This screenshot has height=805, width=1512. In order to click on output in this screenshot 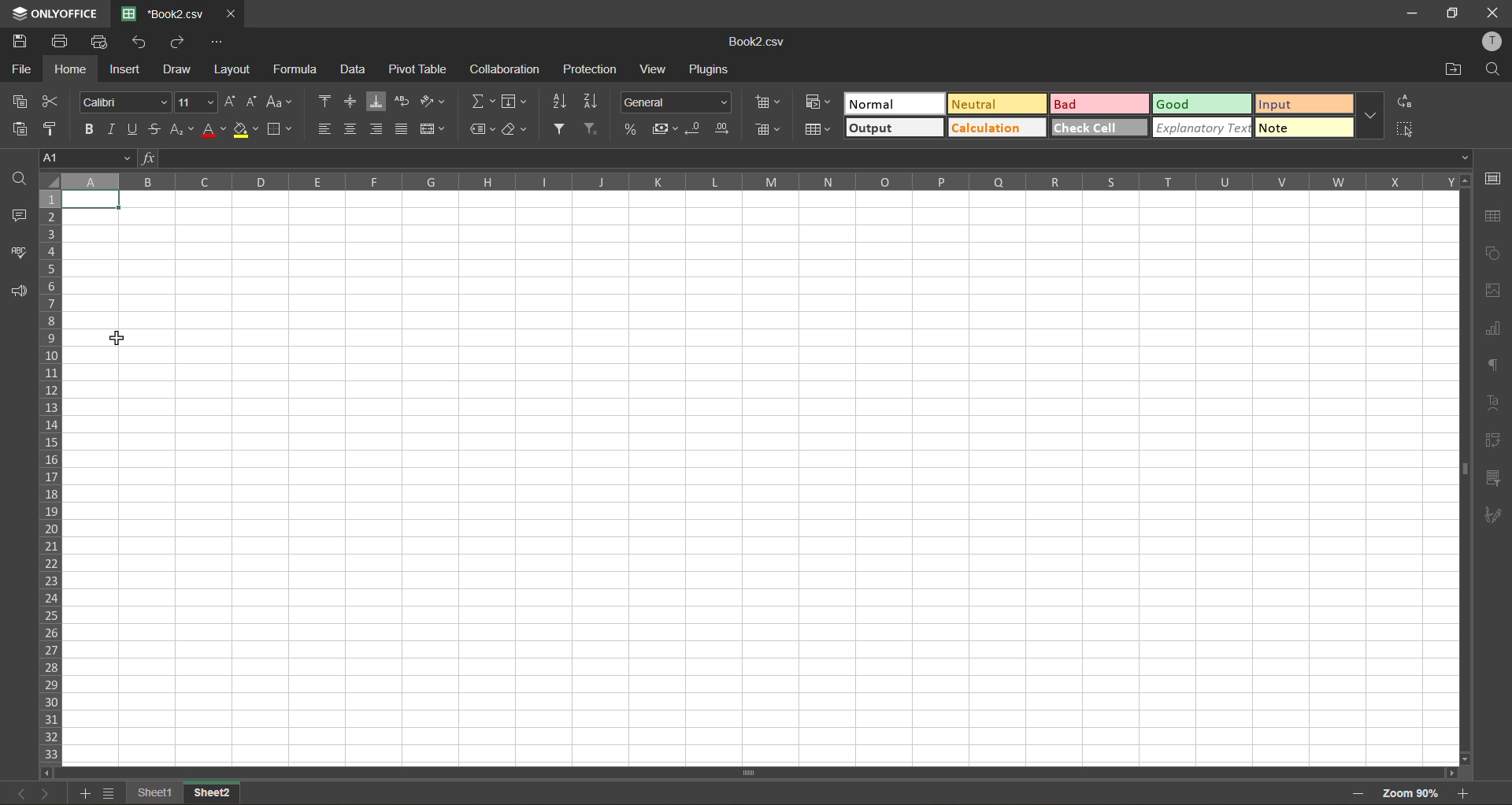, I will do `click(895, 129)`.